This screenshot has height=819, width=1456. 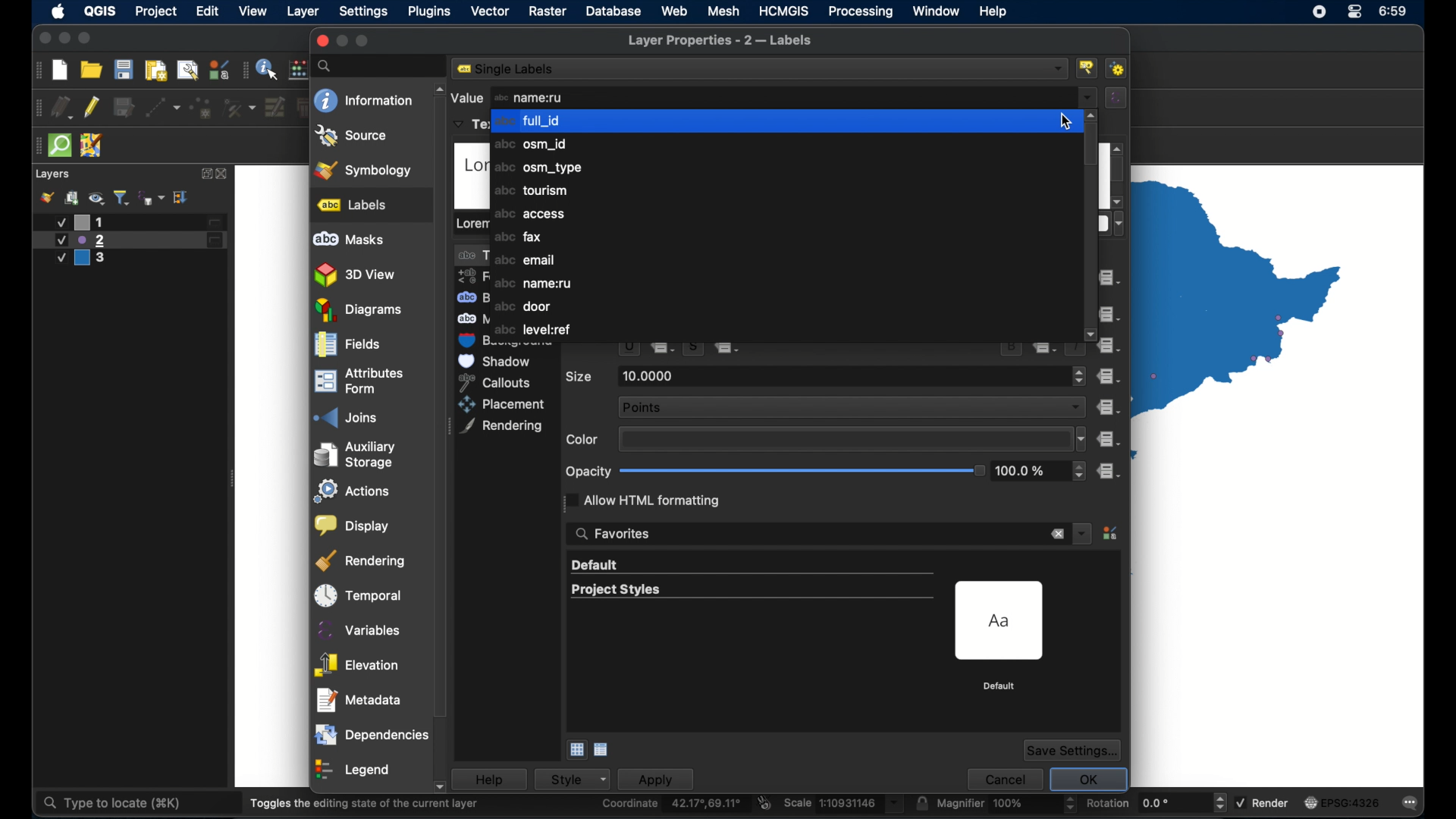 I want to click on name:  ru, so click(x=534, y=284).